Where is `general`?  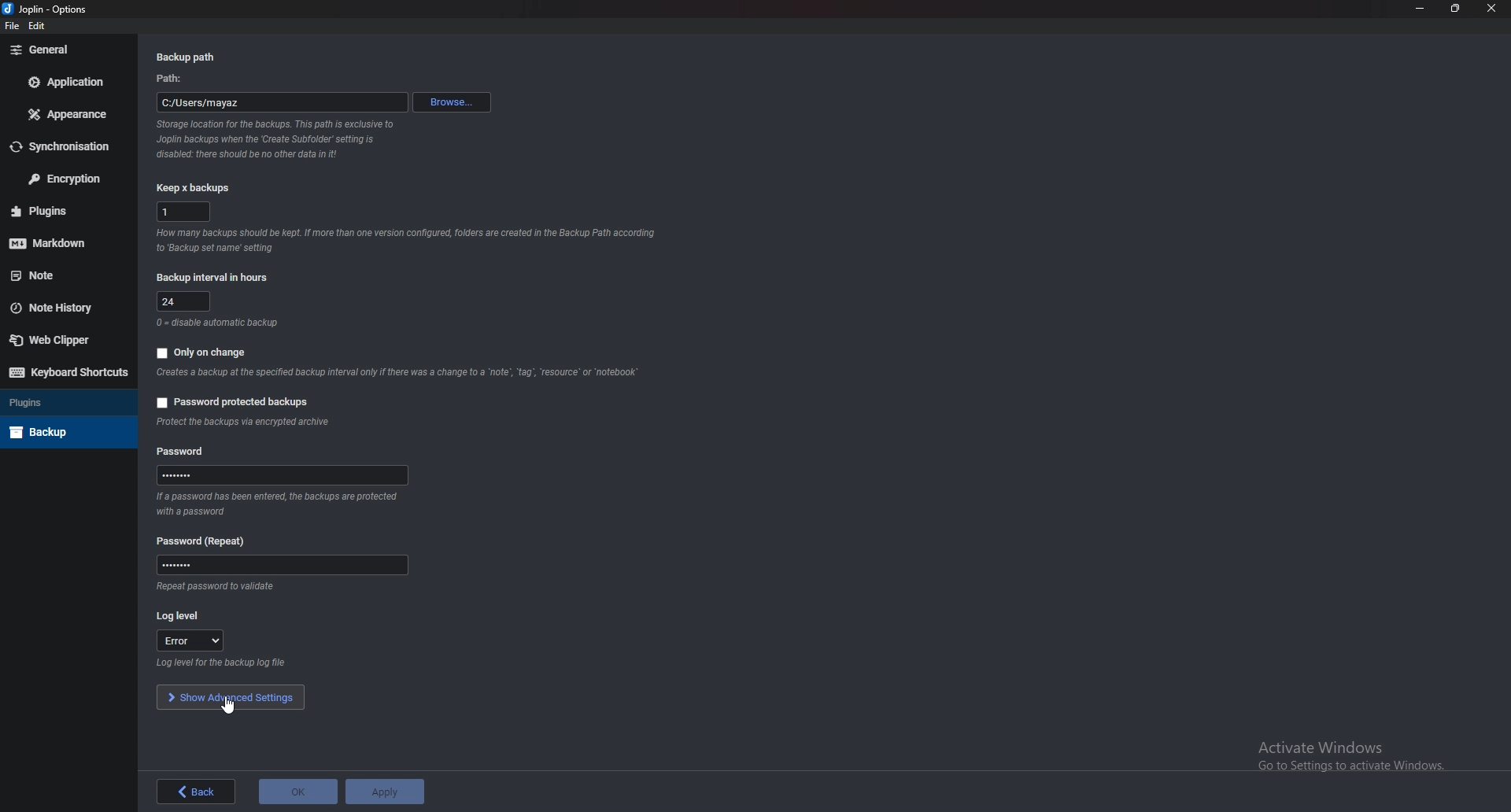 general is located at coordinates (64, 50).